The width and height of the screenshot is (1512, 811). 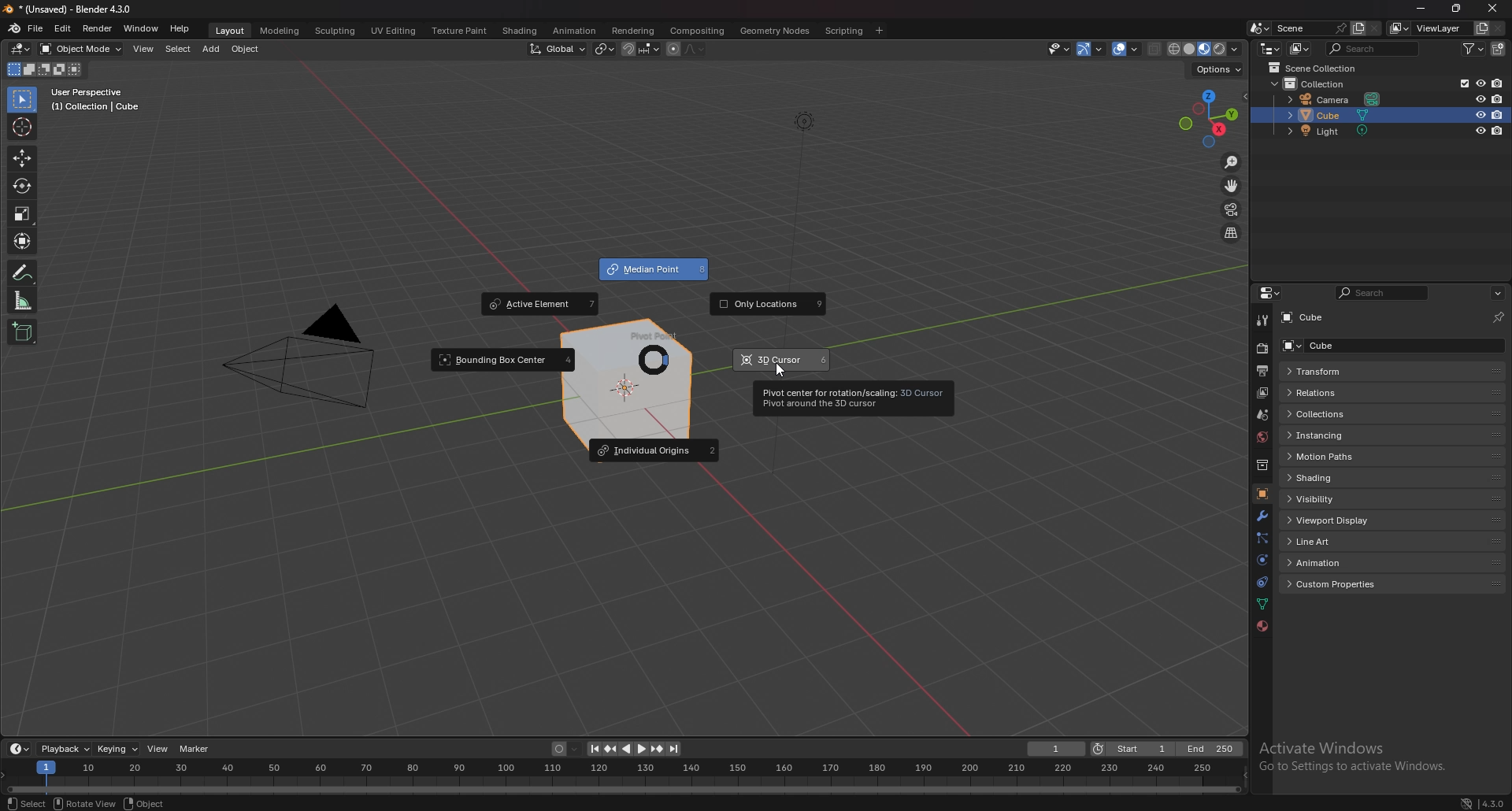 What do you see at coordinates (521, 31) in the screenshot?
I see `shading` at bounding box center [521, 31].